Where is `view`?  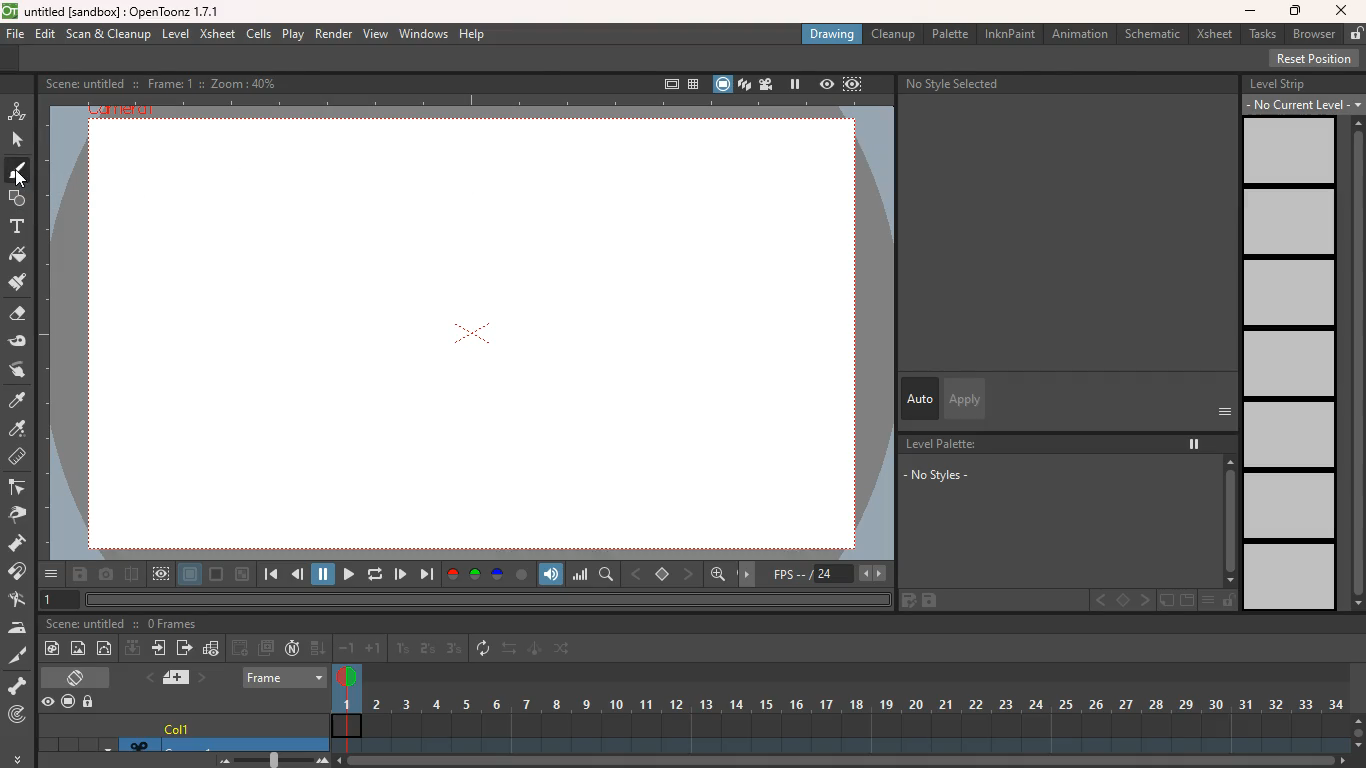 view is located at coordinates (825, 85).